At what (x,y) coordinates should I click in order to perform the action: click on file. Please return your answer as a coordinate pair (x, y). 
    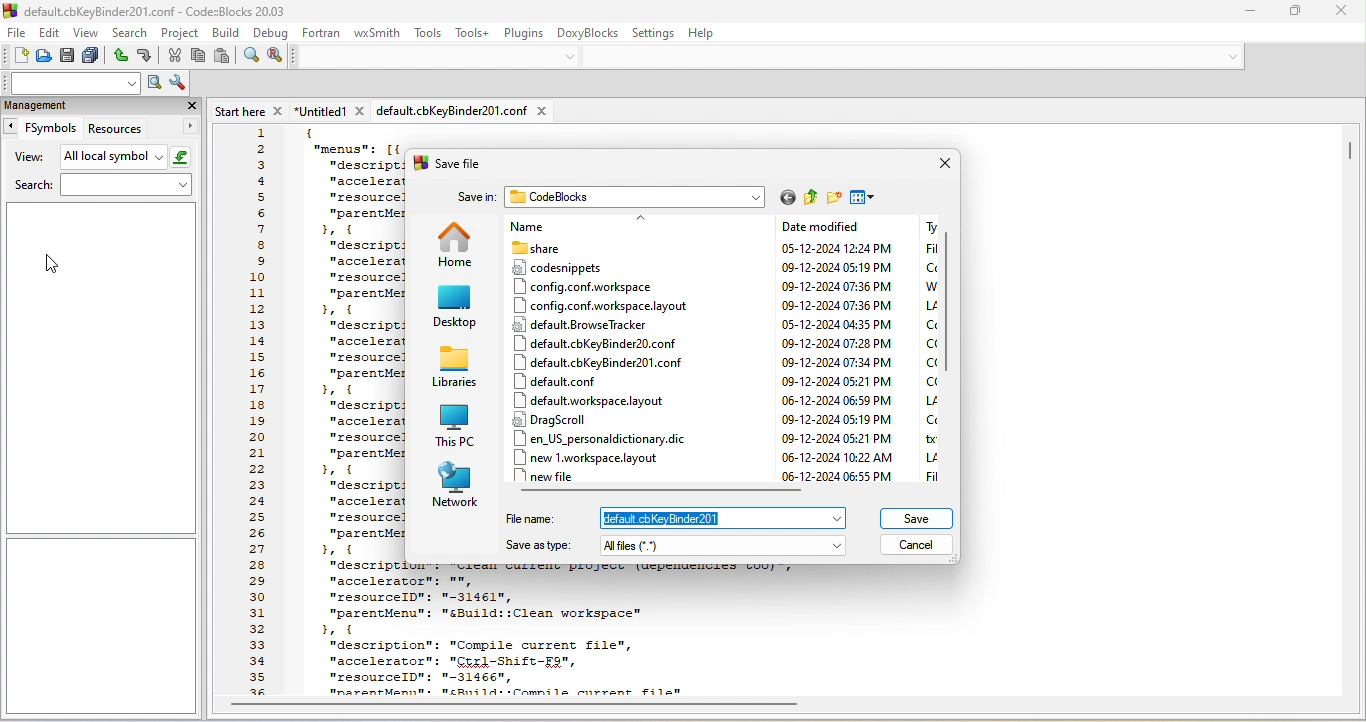
    Looking at the image, I should click on (17, 34).